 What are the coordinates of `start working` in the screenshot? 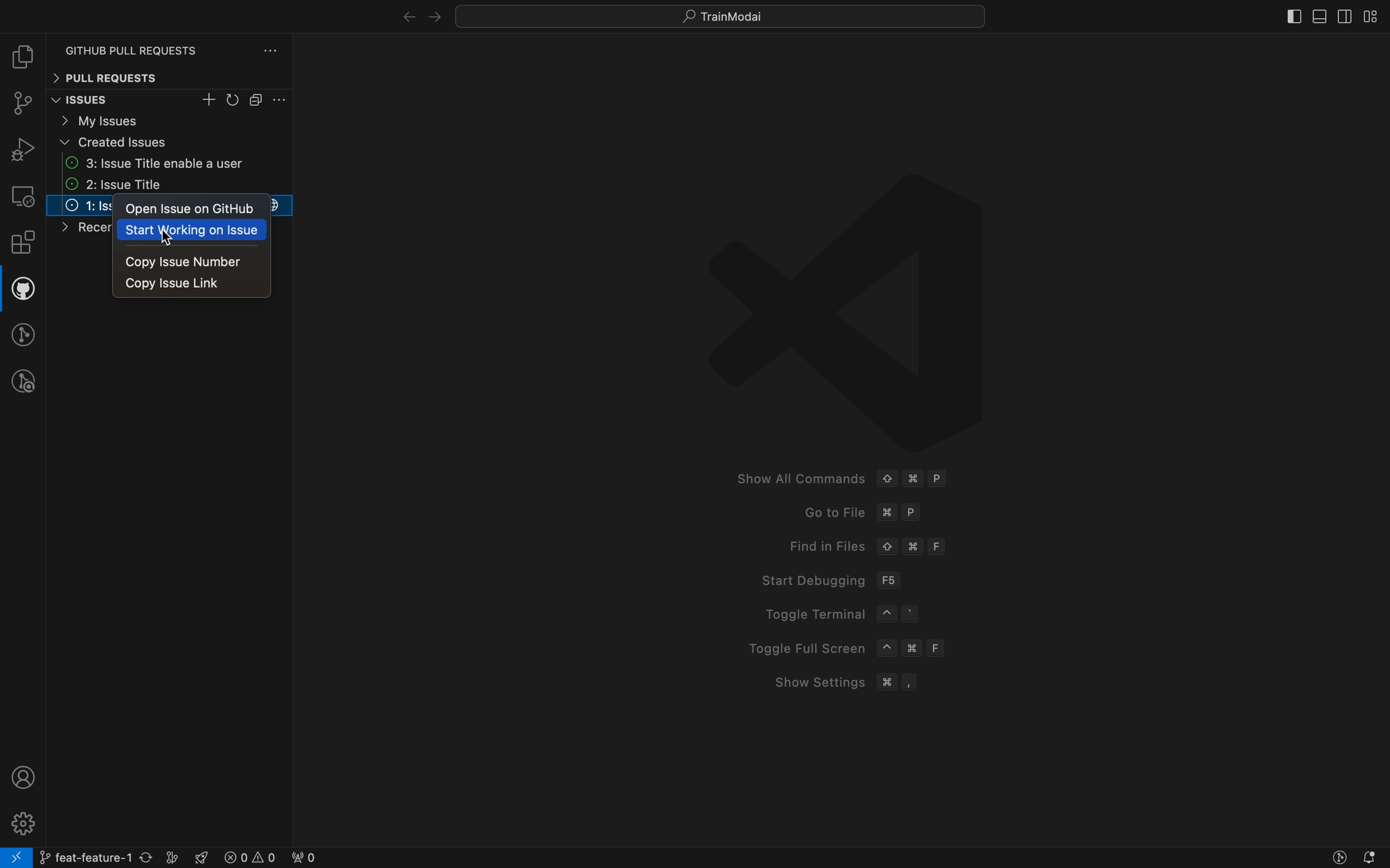 It's located at (194, 231).